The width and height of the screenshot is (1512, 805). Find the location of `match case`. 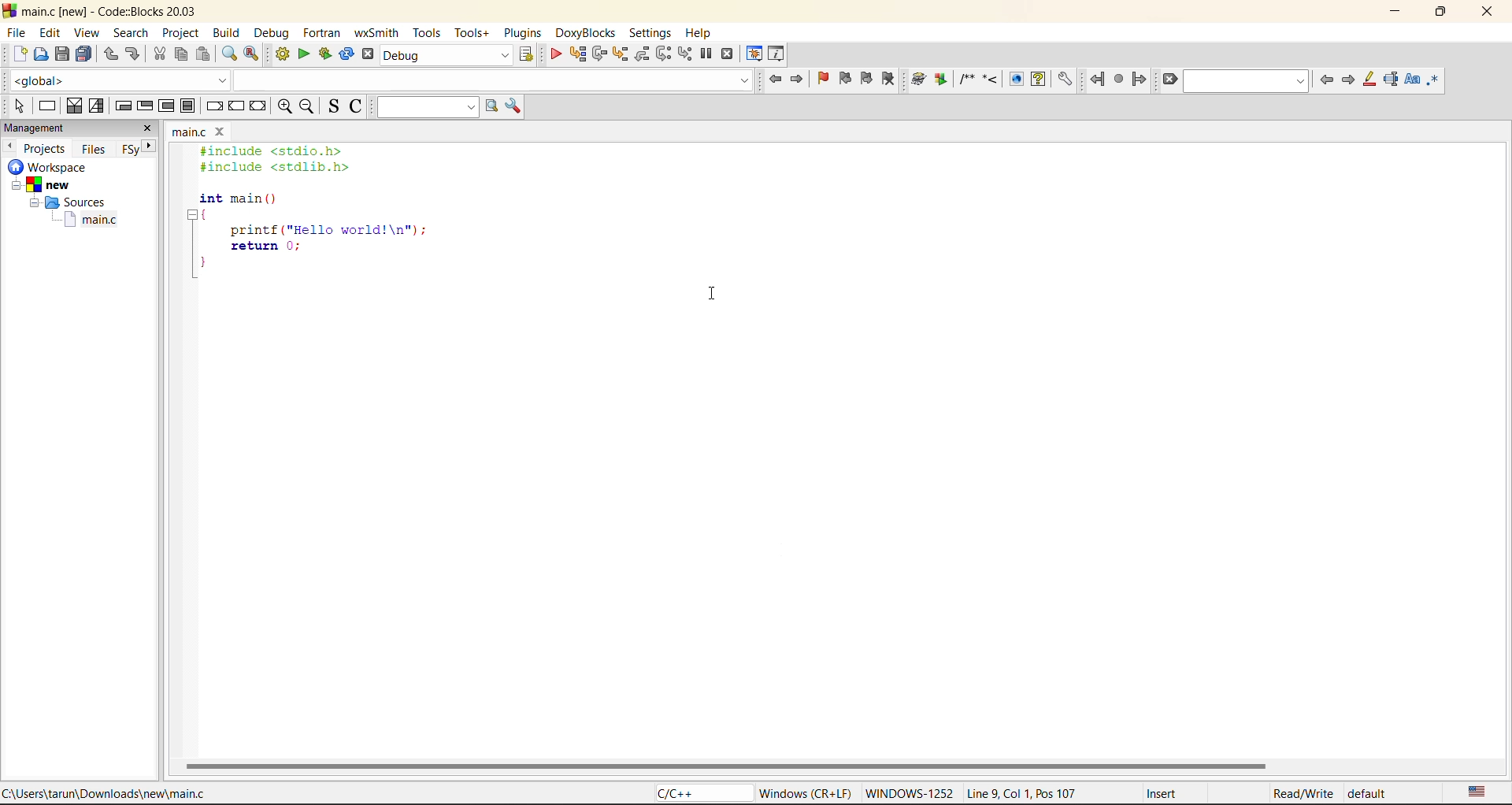

match case is located at coordinates (1413, 80).